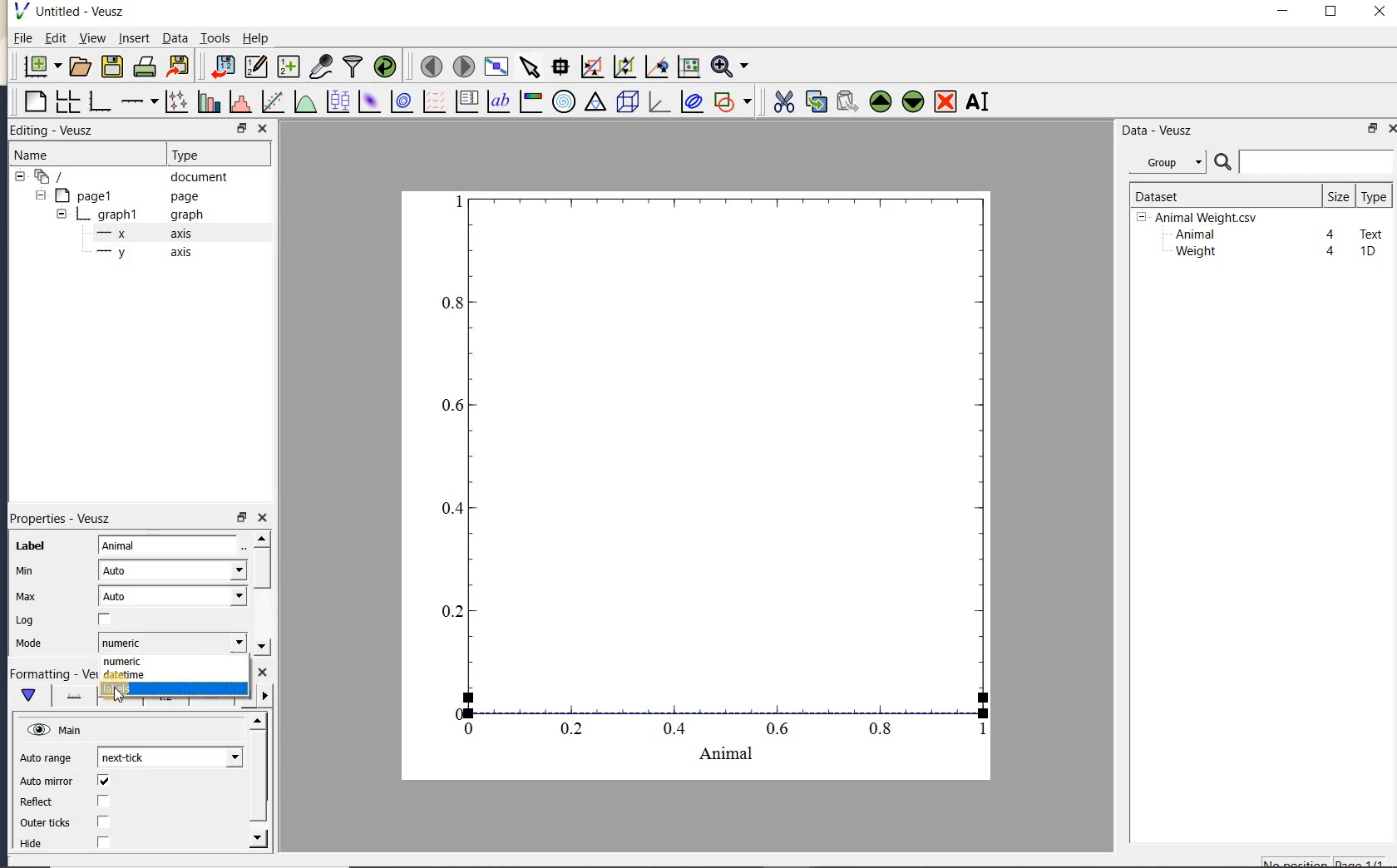 This screenshot has width=1397, height=868. Describe the element at coordinates (304, 104) in the screenshot. I see `plot a function` at that location.